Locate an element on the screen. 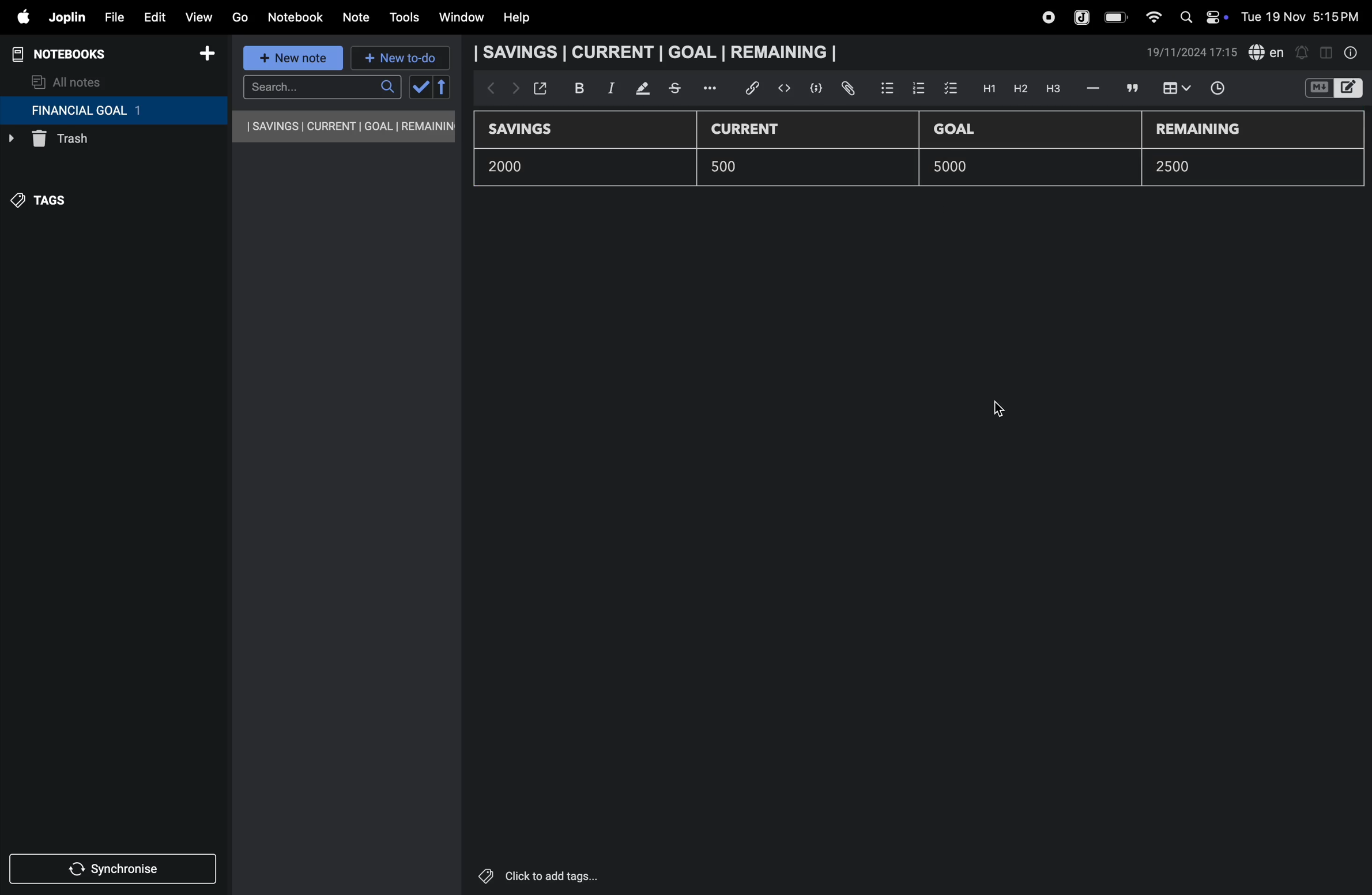 The image size is (1372, 895). bullet list is located at coordinates (887, 87).